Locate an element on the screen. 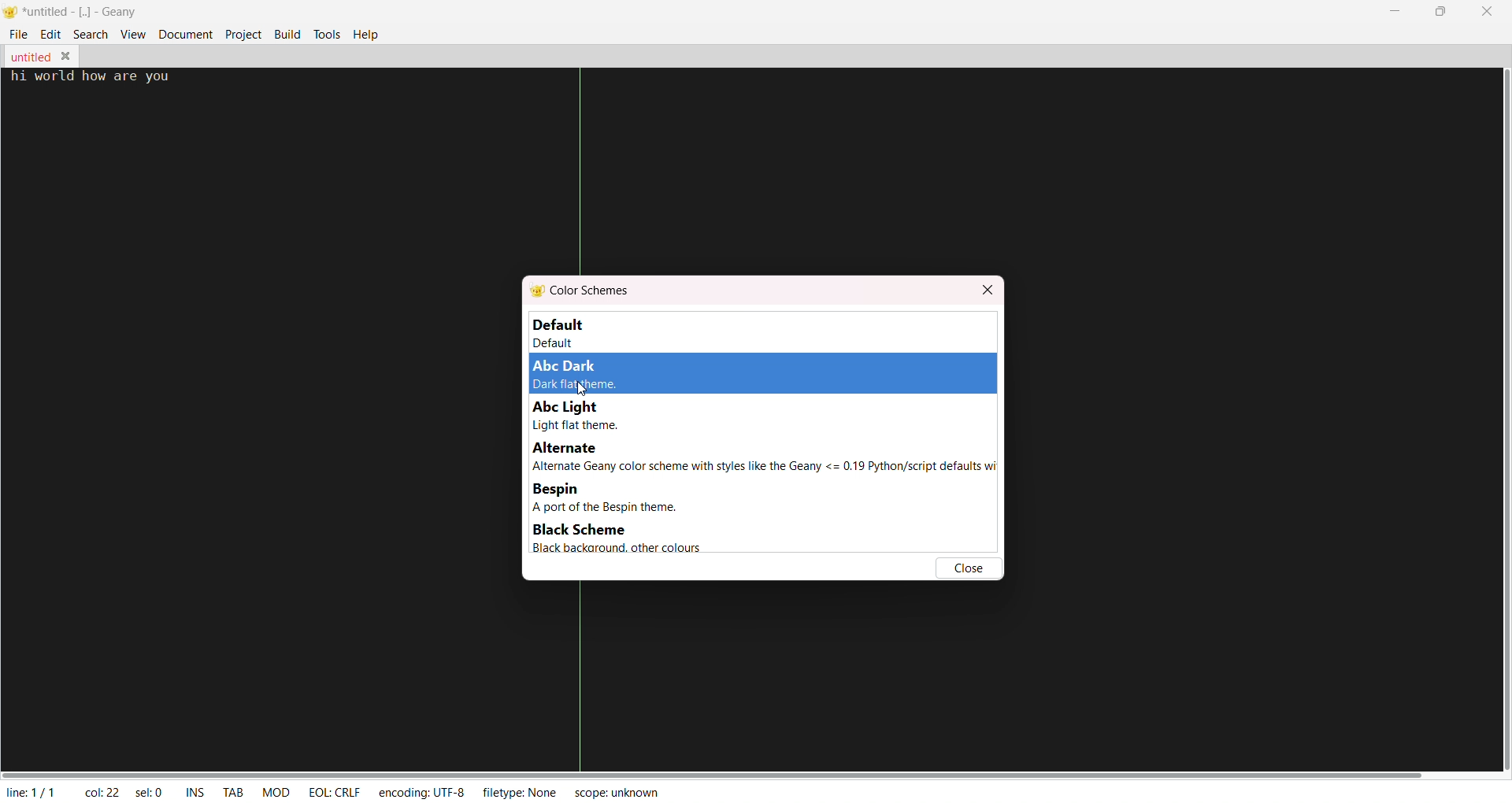 The image size is (1512, 803). a port of the bespin theme is located at coordinates (621, 508).